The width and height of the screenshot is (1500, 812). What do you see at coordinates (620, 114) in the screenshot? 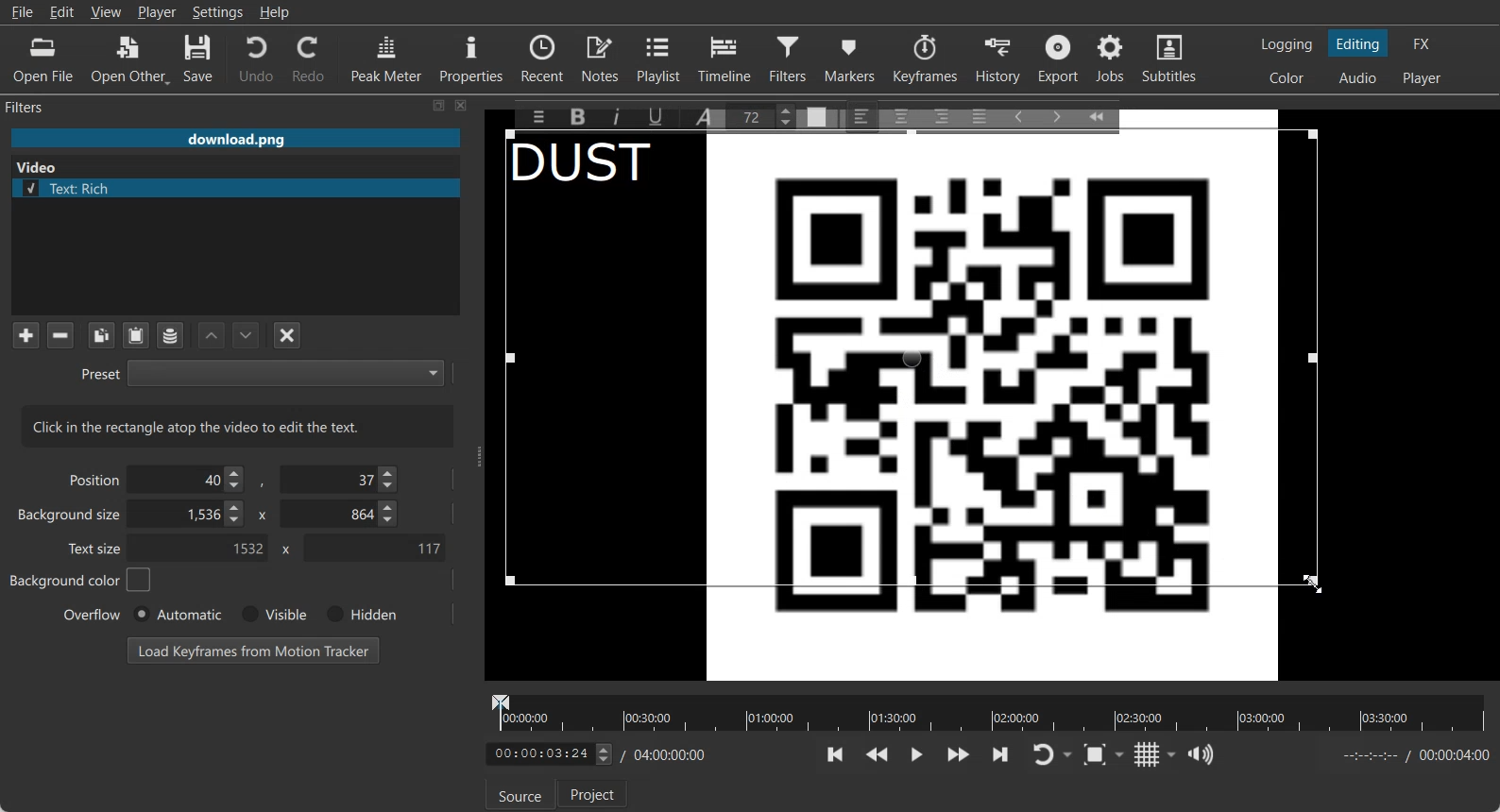
I see `Italic` at bounding box center [620, 114].